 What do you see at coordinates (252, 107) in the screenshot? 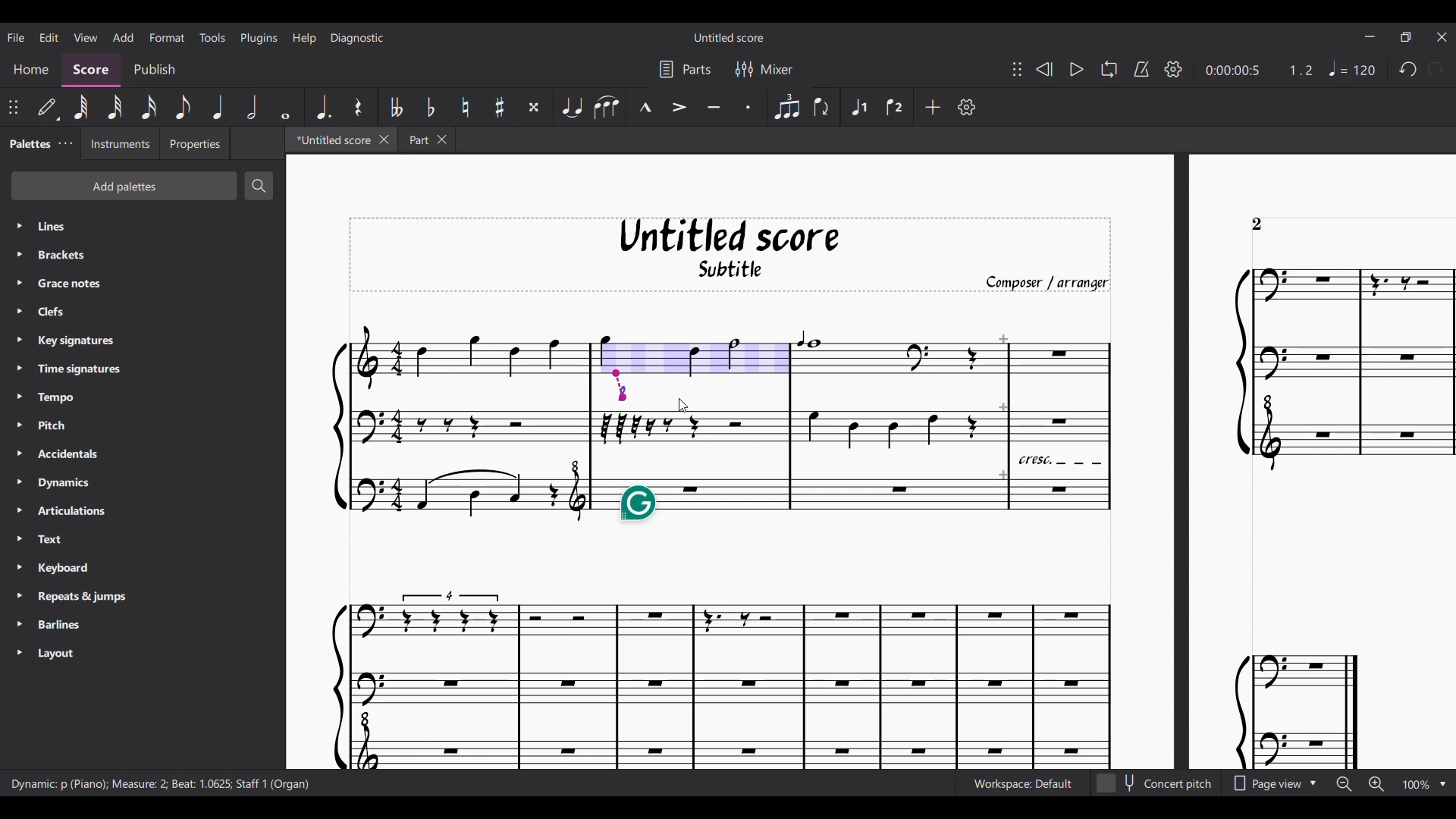
I see `Half note` at bounding box center [252, 107].